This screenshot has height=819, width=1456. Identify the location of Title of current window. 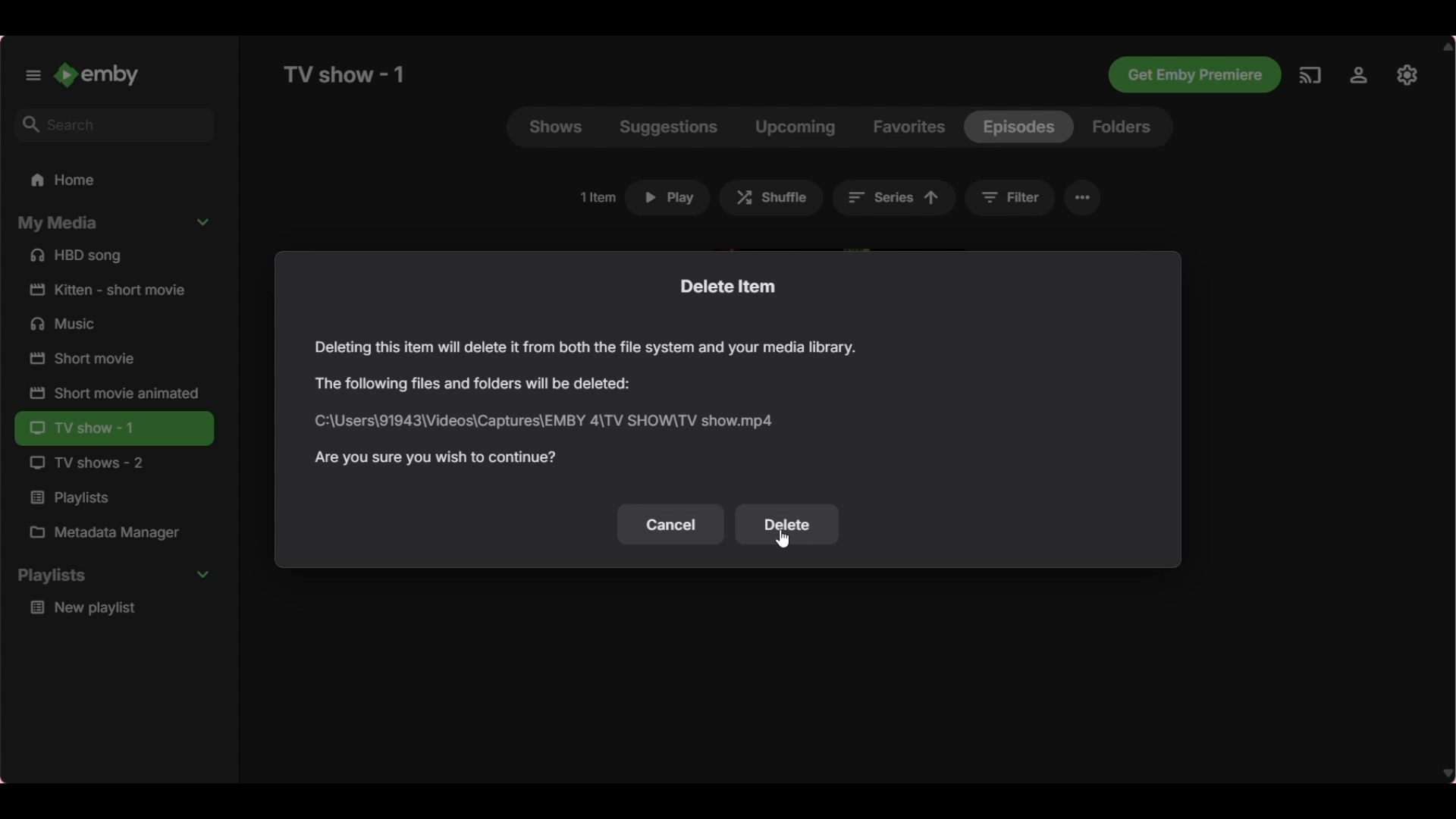
(727, 286).